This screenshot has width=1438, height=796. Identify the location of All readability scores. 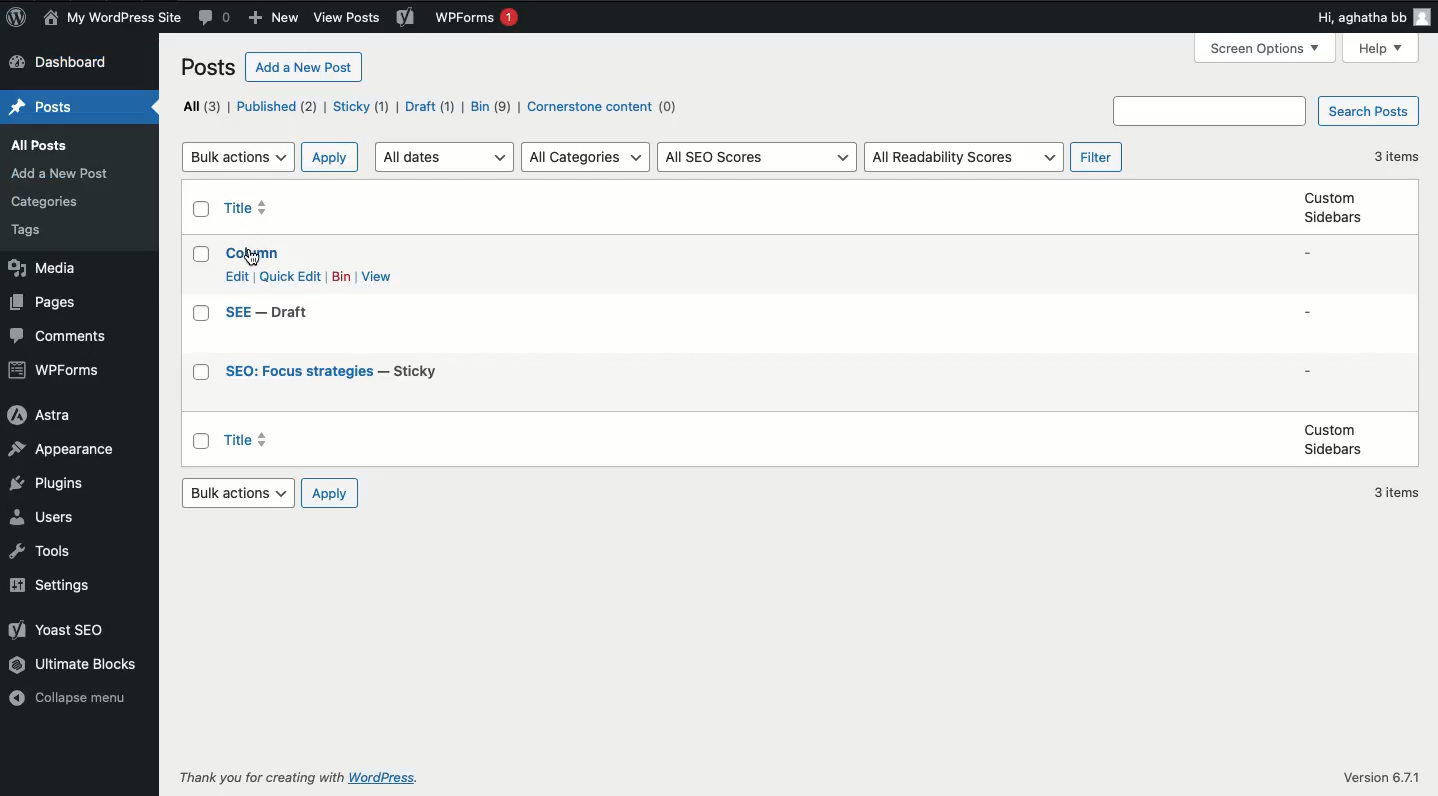
(965, 158).